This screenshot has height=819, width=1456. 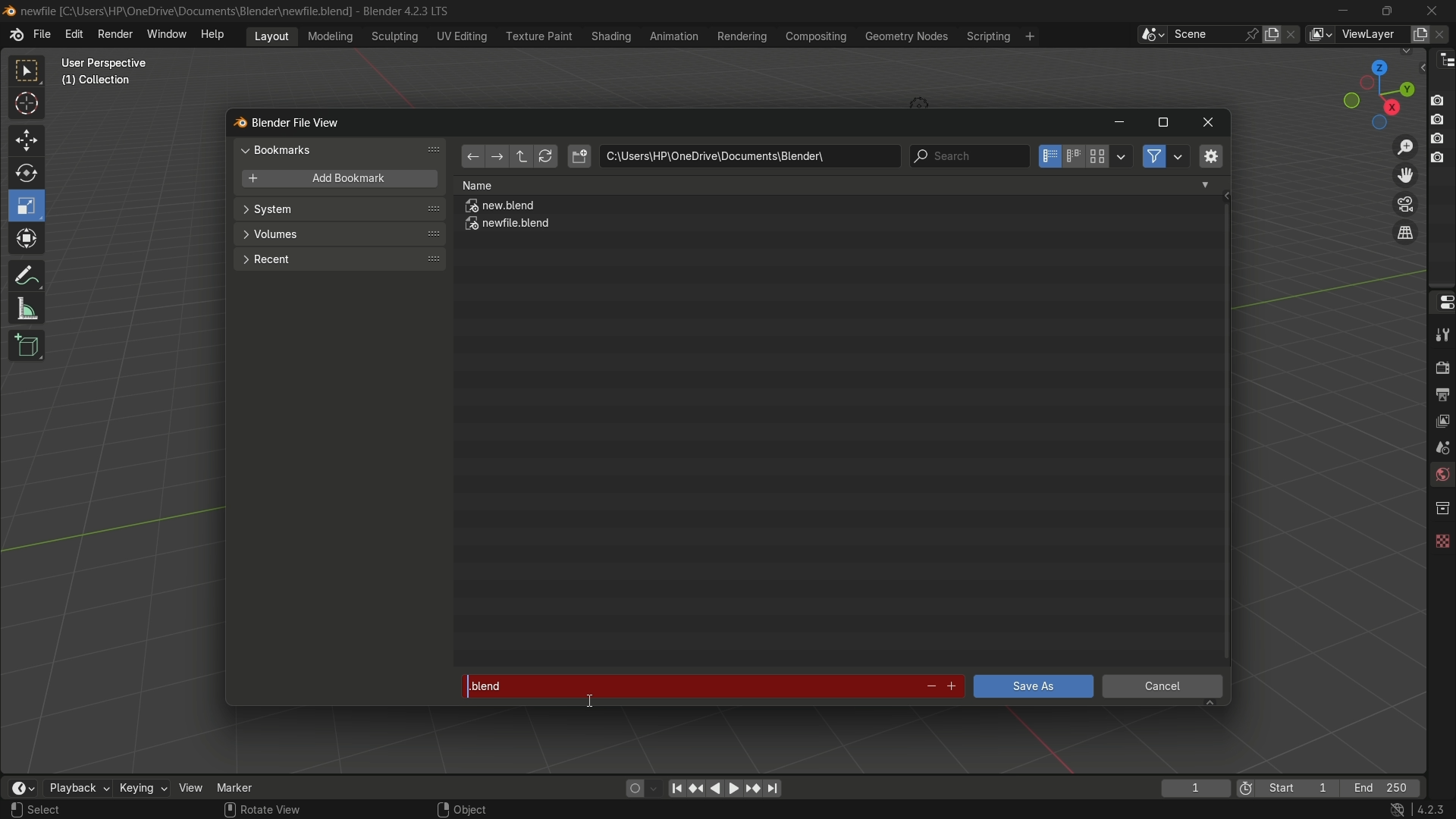 I want to click on blender file view, so click(x=298, y=121).